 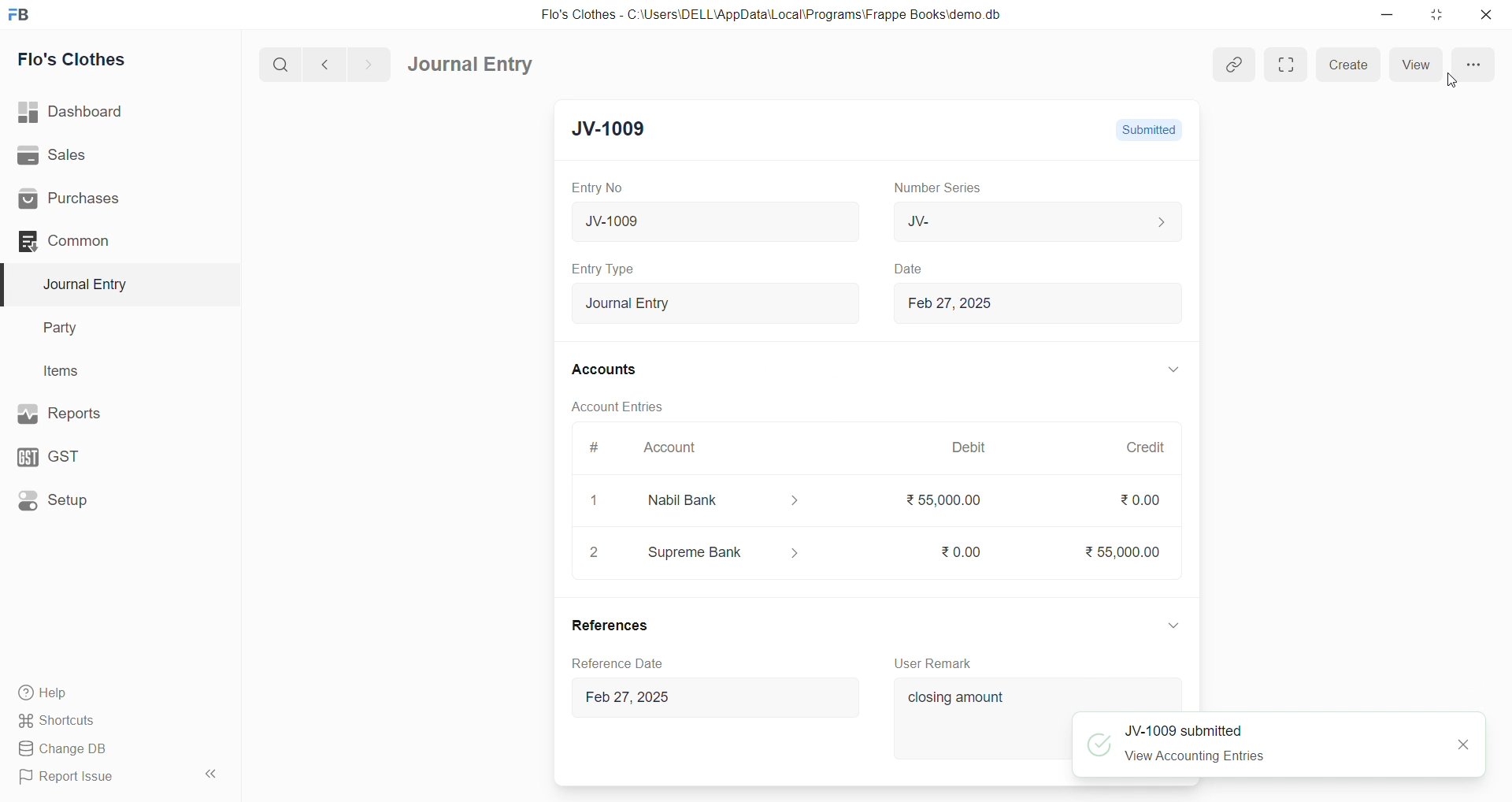 I want to click on CLOSE, so click(x=1464, y=744).